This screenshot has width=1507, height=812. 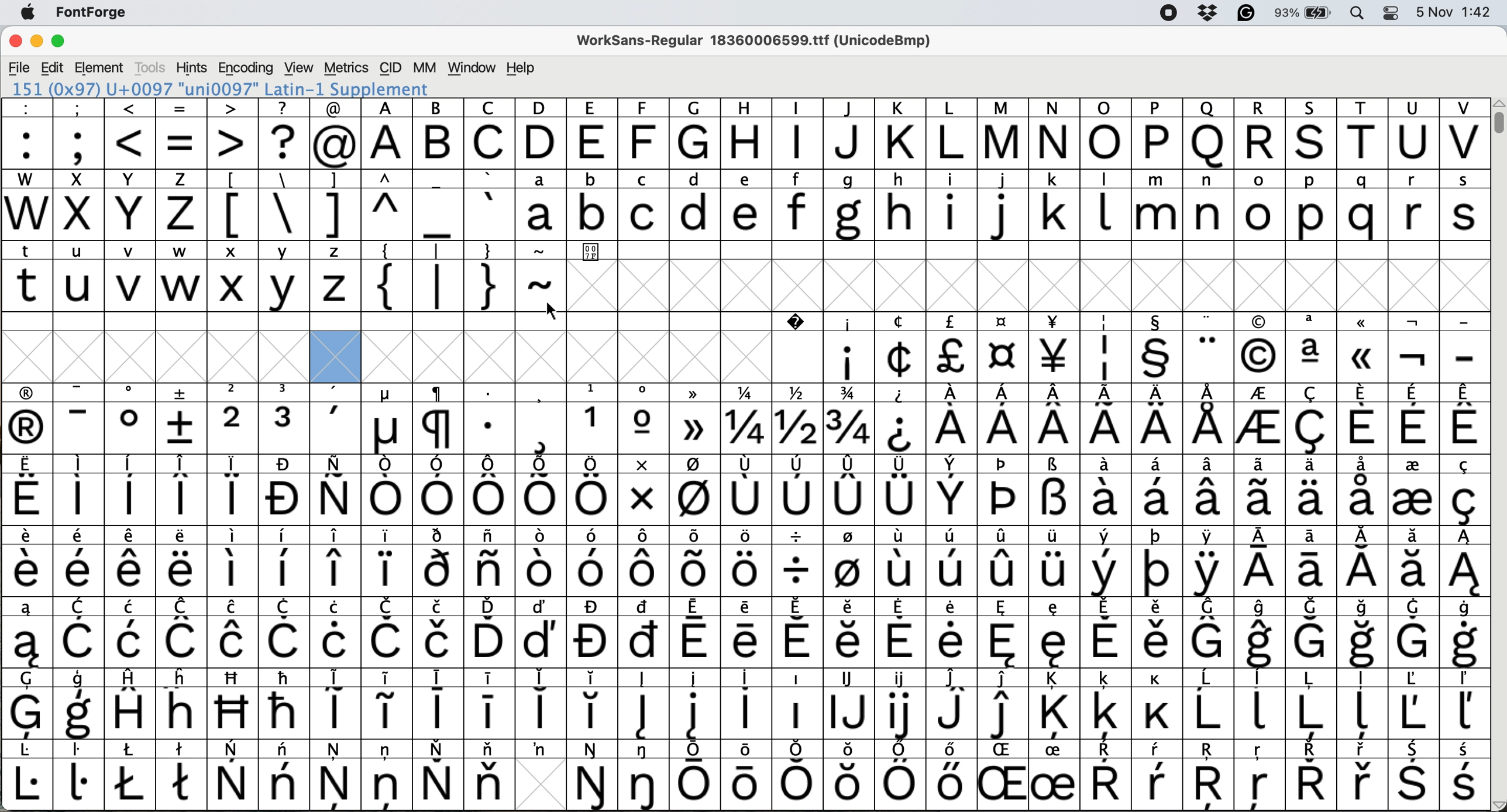 What do you see at coordinates (799, 632) in the screenshot?
I see `symbol` at bounding box center [799, 632].